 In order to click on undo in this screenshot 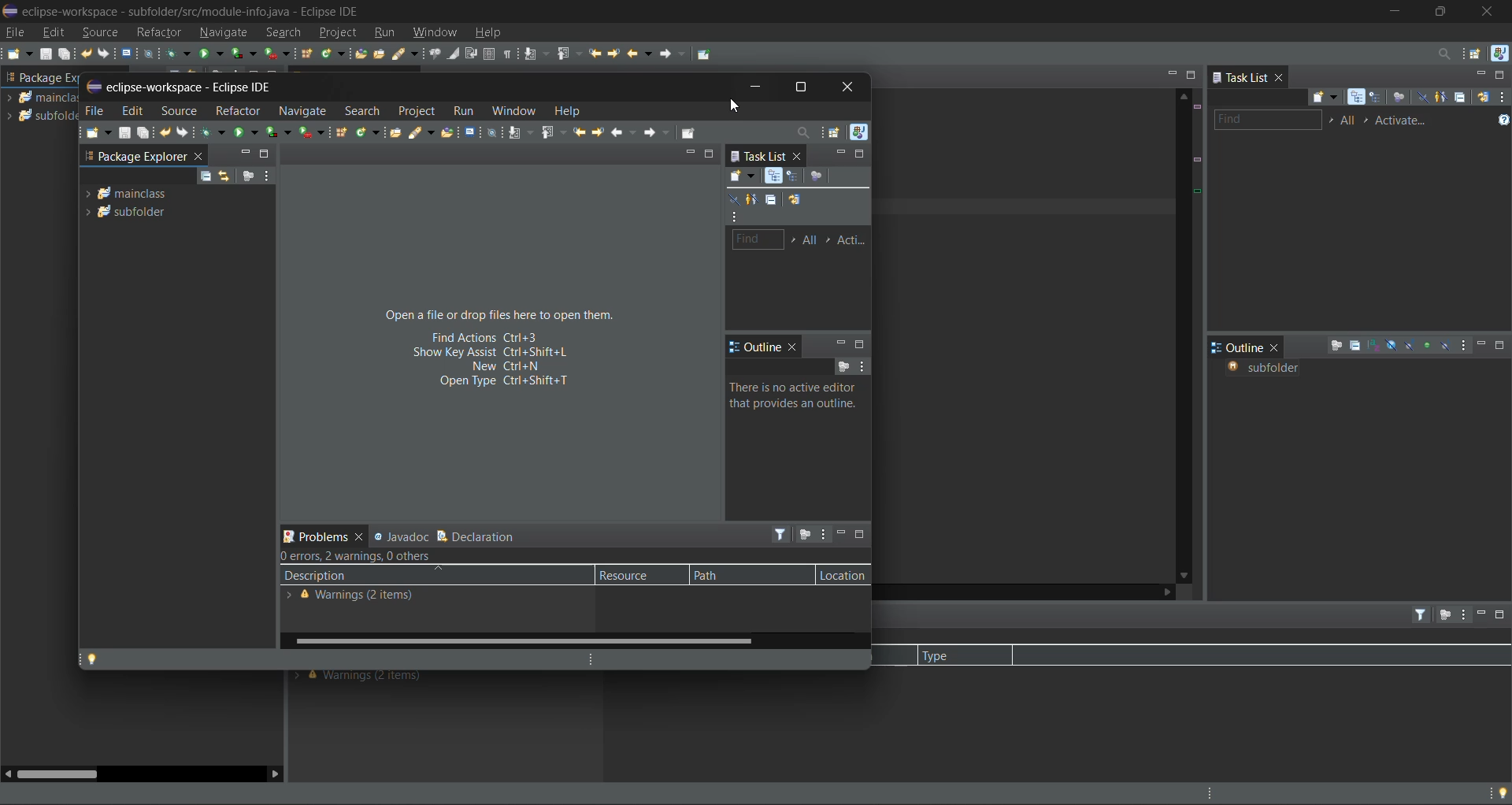, I will do `click(167, 131)`.